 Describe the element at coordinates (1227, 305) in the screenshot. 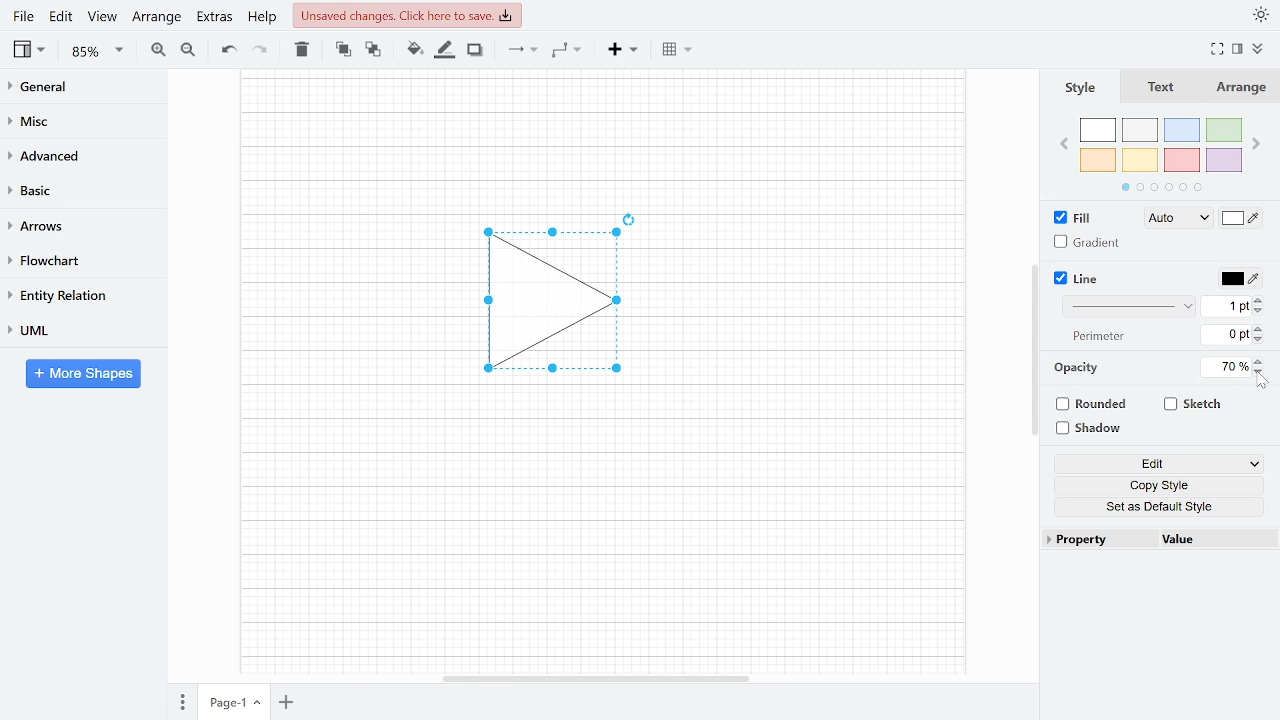

I see `Current line width` at that location.